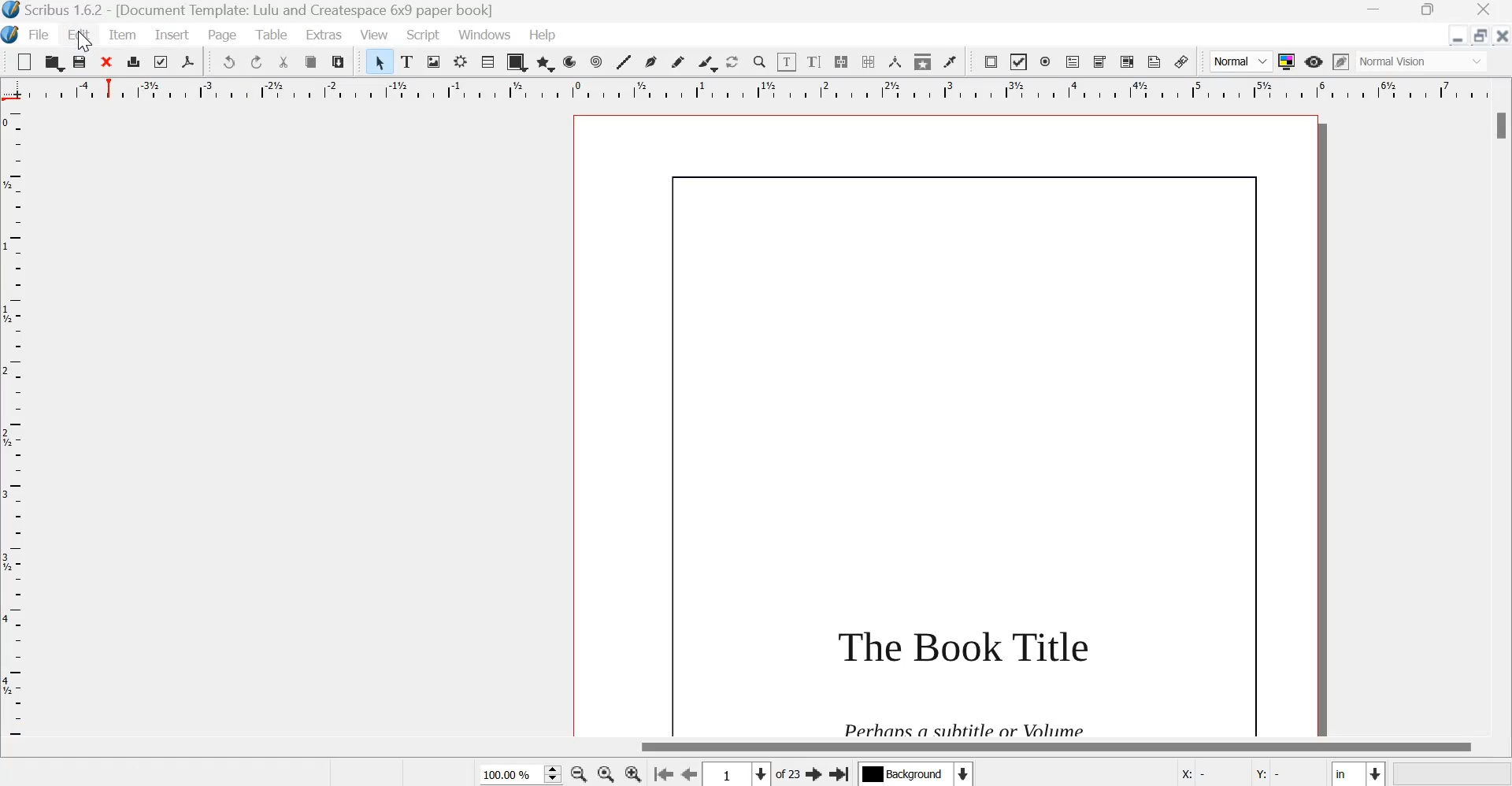 Image resolution: width=1512 pixels, height=786 pixels. I want to click on Select the current page, so click(736, 774).